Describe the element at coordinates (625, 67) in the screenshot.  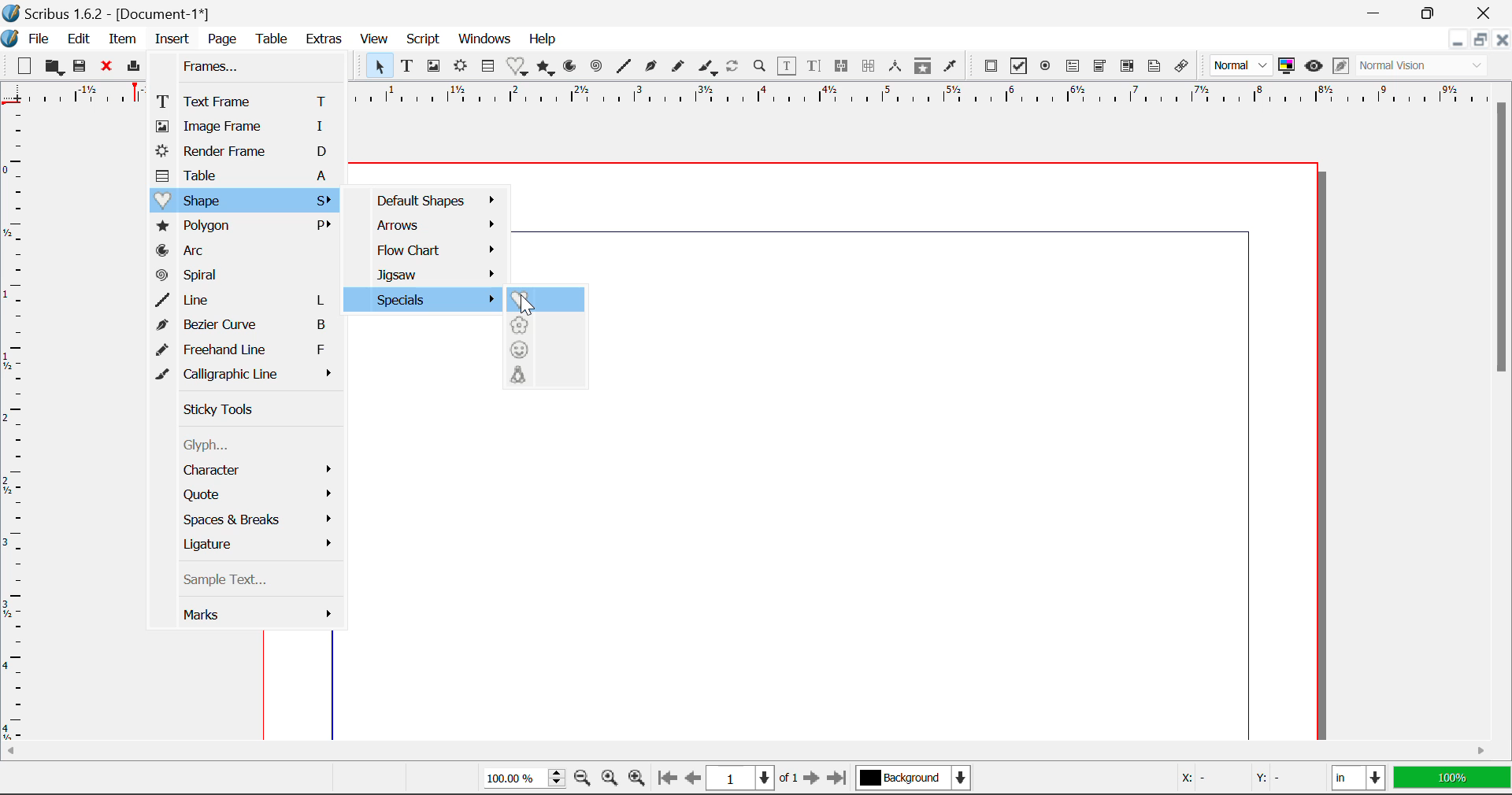
I see `Line` at that location.